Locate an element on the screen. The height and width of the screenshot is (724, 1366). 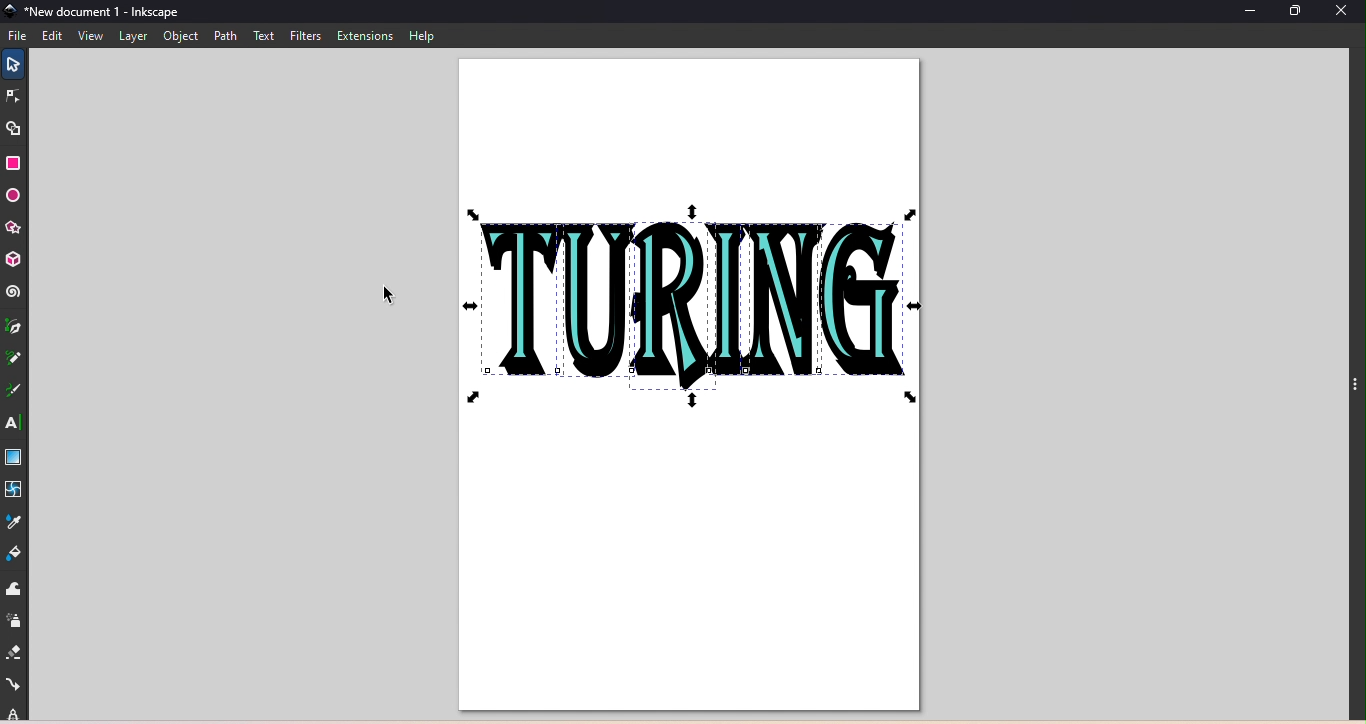
three points is located at coordinates (1353, 391).